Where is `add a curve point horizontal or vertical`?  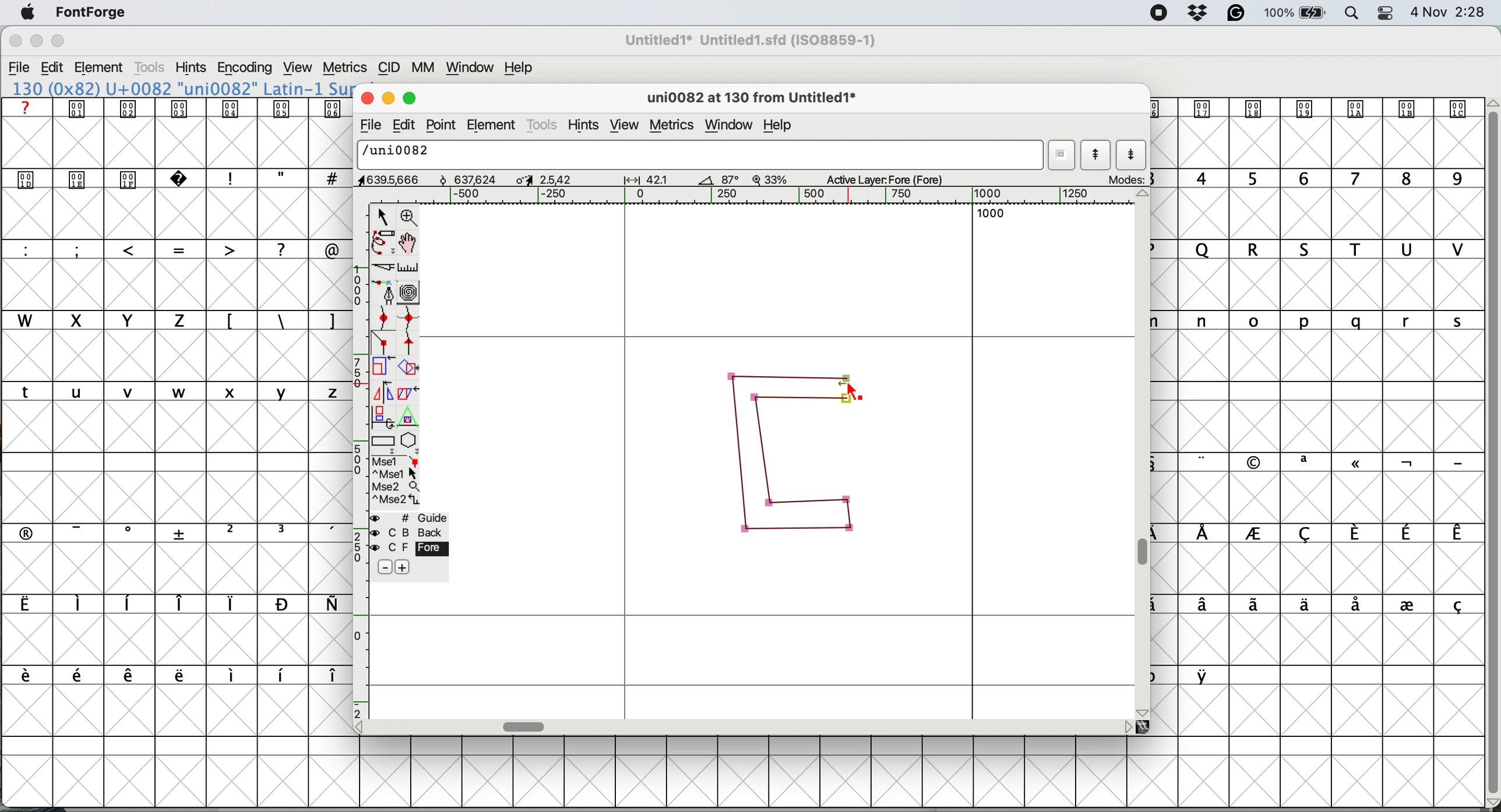
add a curve point horizontal or vertical is located at coordinates (409, 318).